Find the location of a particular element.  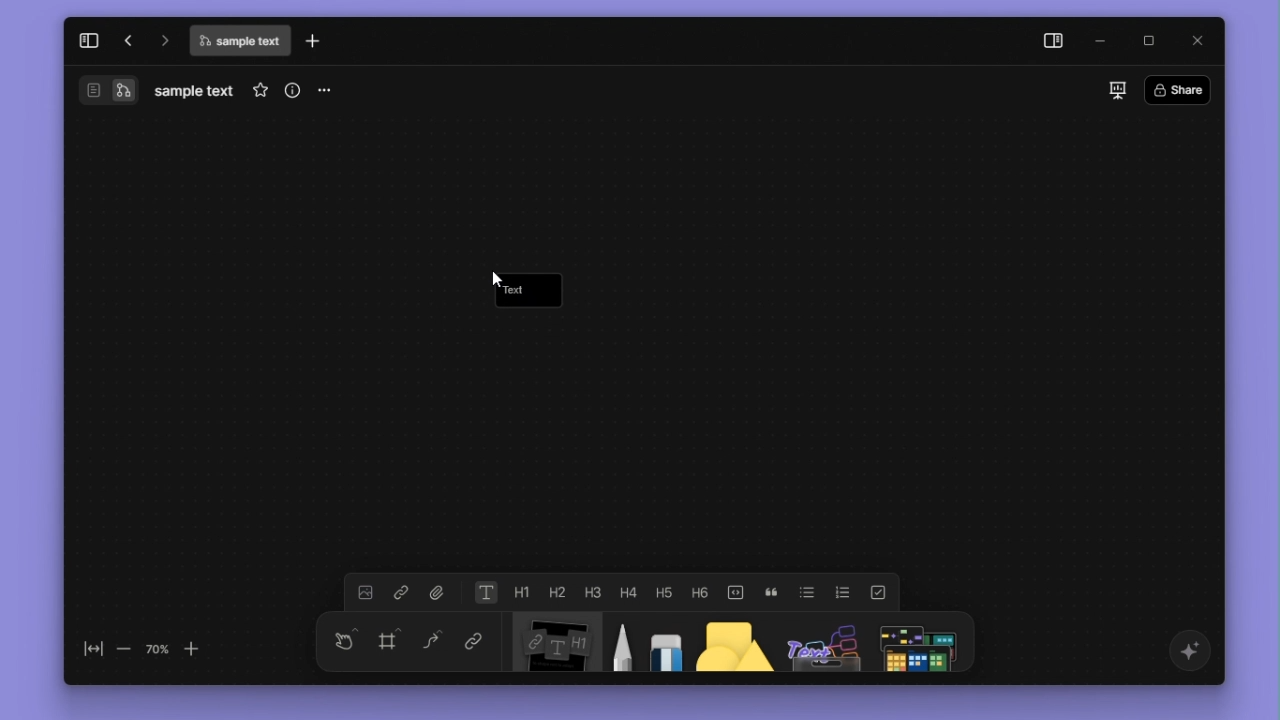

Select V is located at coordinates (341, 638).